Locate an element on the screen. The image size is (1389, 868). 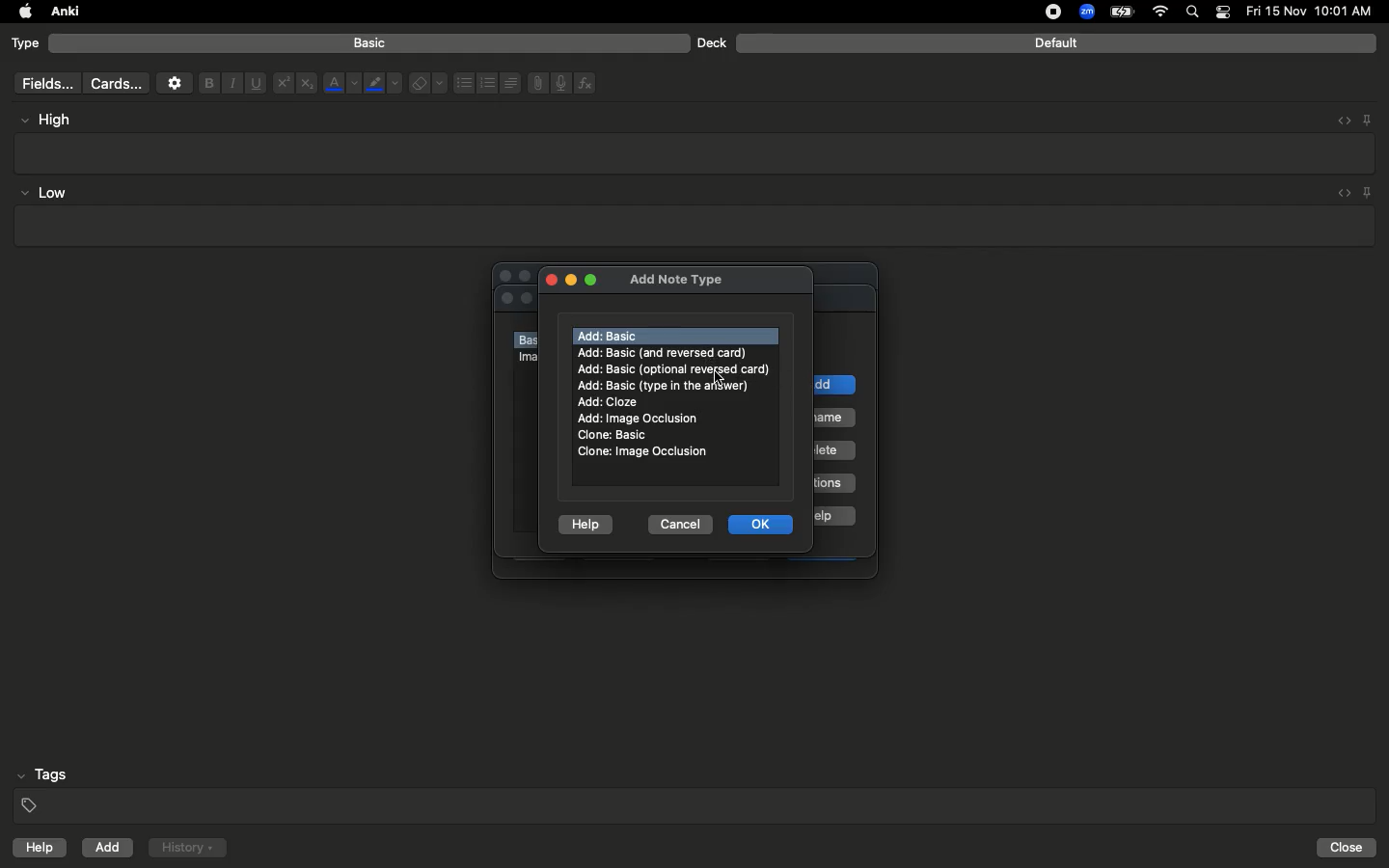
Subscript is located at coordinates (307, 84).